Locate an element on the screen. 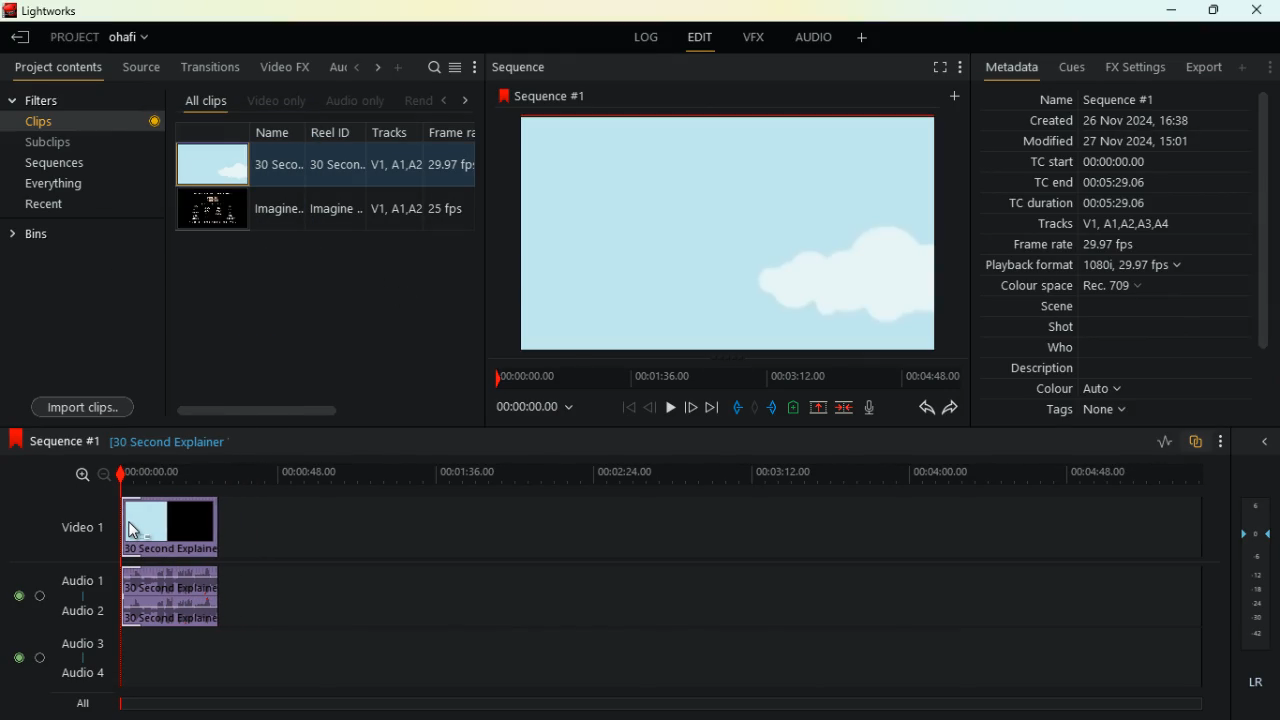 The width and height of the screenshot is (1280, 720). video only is located at coordinates (278, 100).